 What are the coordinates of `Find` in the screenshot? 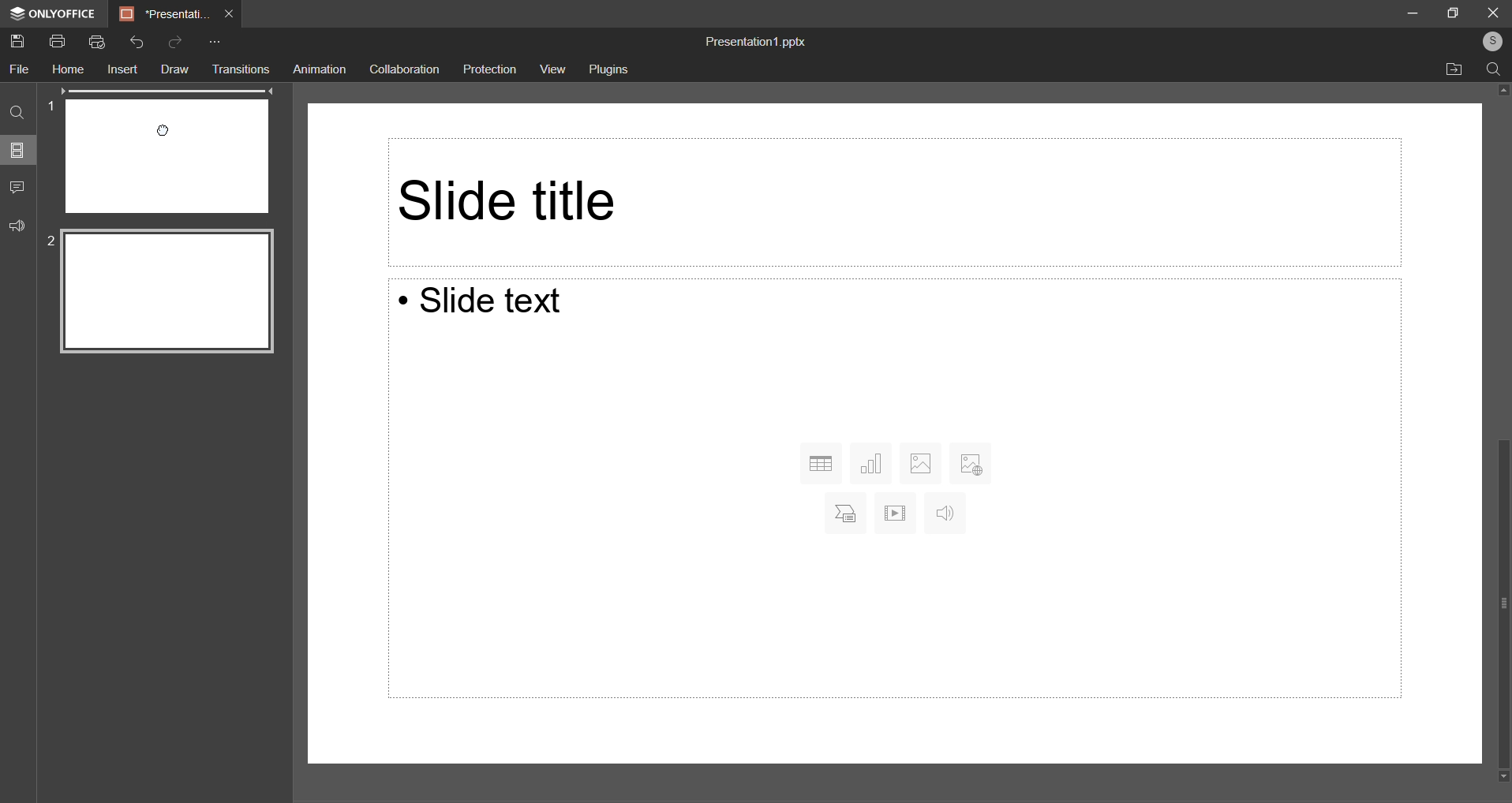 It's located at (18, 115).